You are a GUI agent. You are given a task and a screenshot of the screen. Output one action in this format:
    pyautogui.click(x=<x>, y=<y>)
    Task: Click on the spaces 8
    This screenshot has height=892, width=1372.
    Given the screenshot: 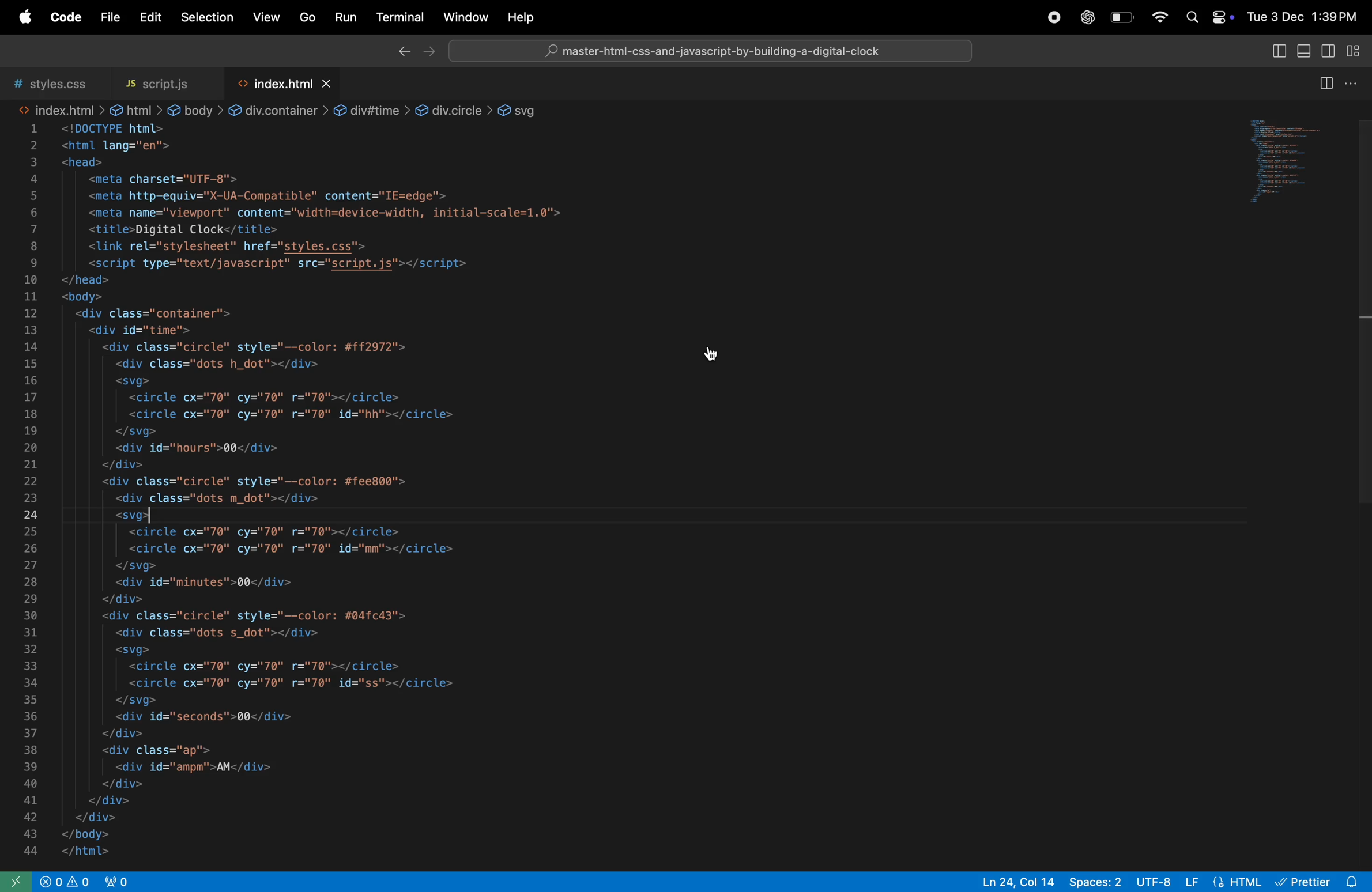 What is the action you would take?
    pyautogui.click(x=1096, y=882)
    